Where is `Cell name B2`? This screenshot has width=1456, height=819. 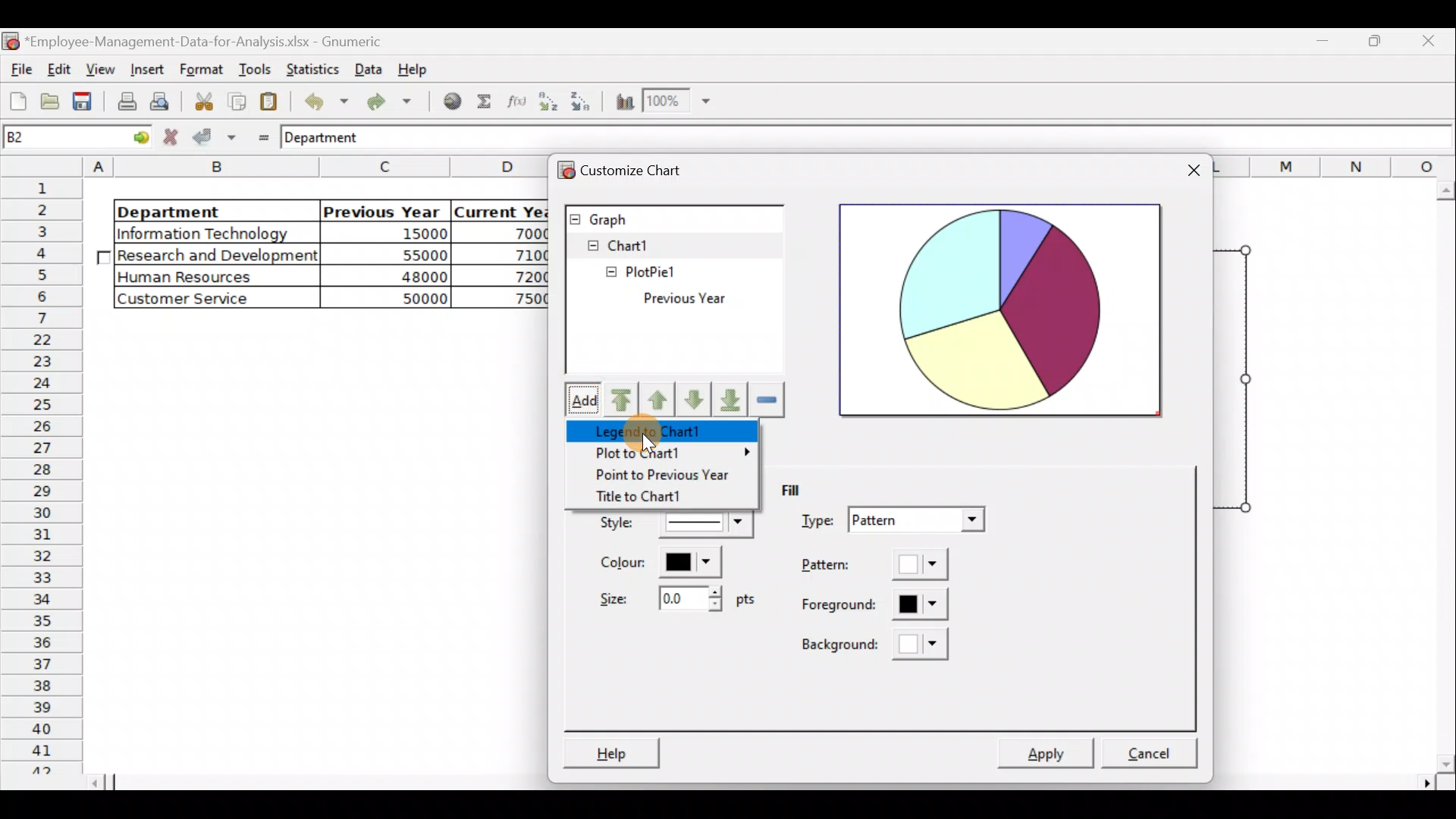
Cell name B2 is located at coordinates (51, 139).